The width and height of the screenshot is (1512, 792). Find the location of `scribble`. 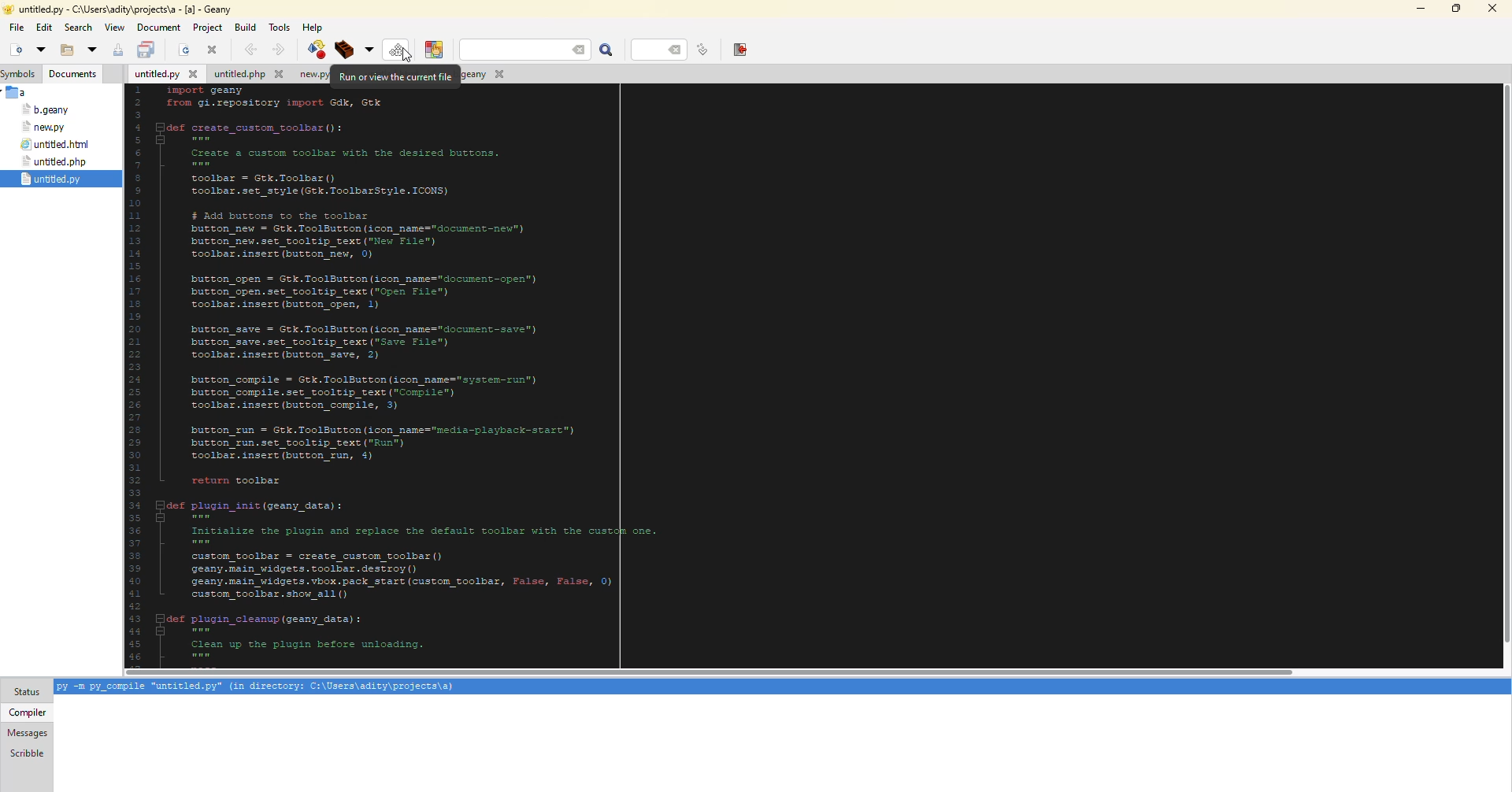

scribble is located at coordinates (28, 753).